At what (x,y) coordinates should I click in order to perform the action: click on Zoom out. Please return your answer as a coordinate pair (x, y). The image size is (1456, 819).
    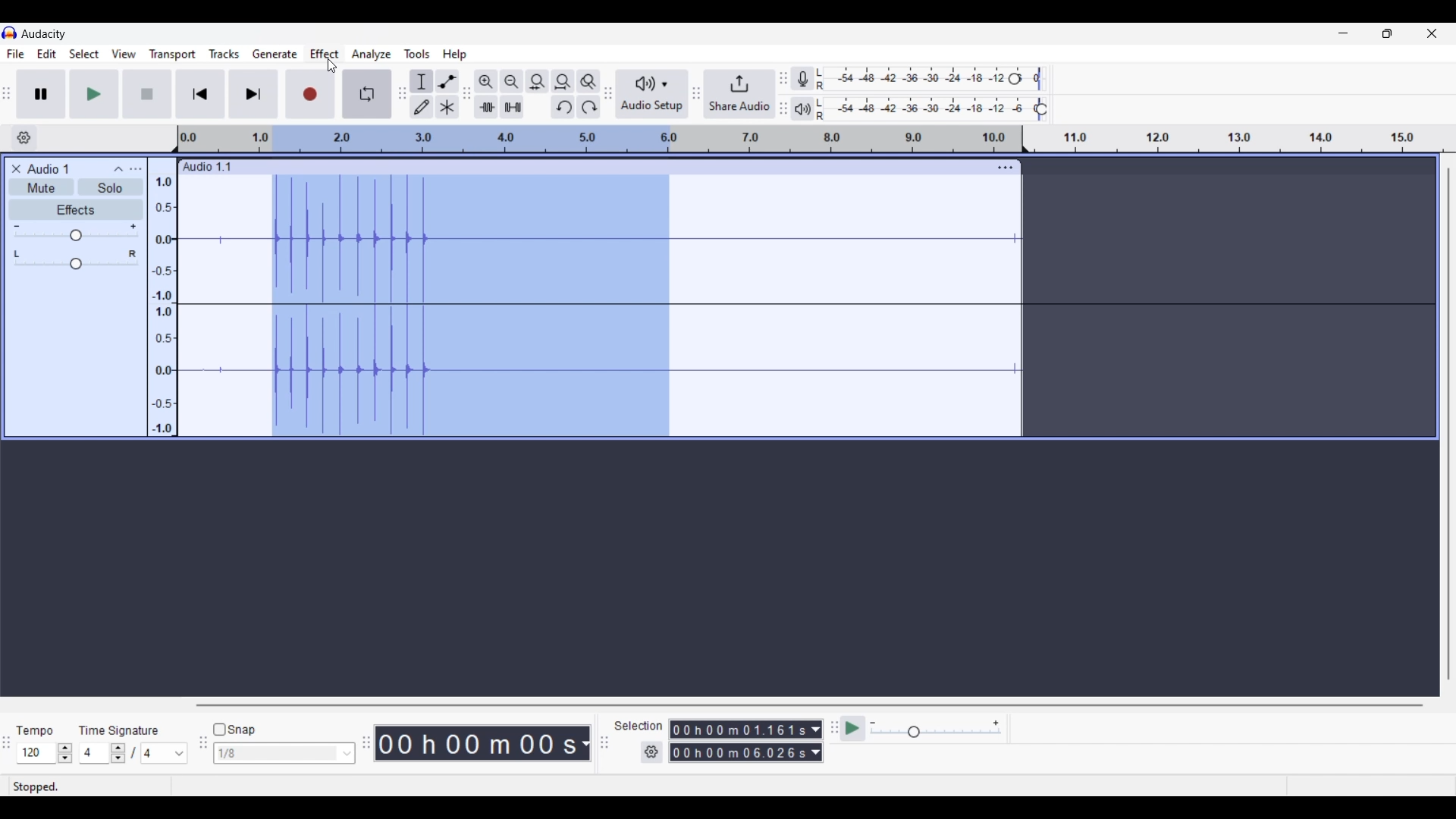
    Looking at the image, I should click on (511, 80).